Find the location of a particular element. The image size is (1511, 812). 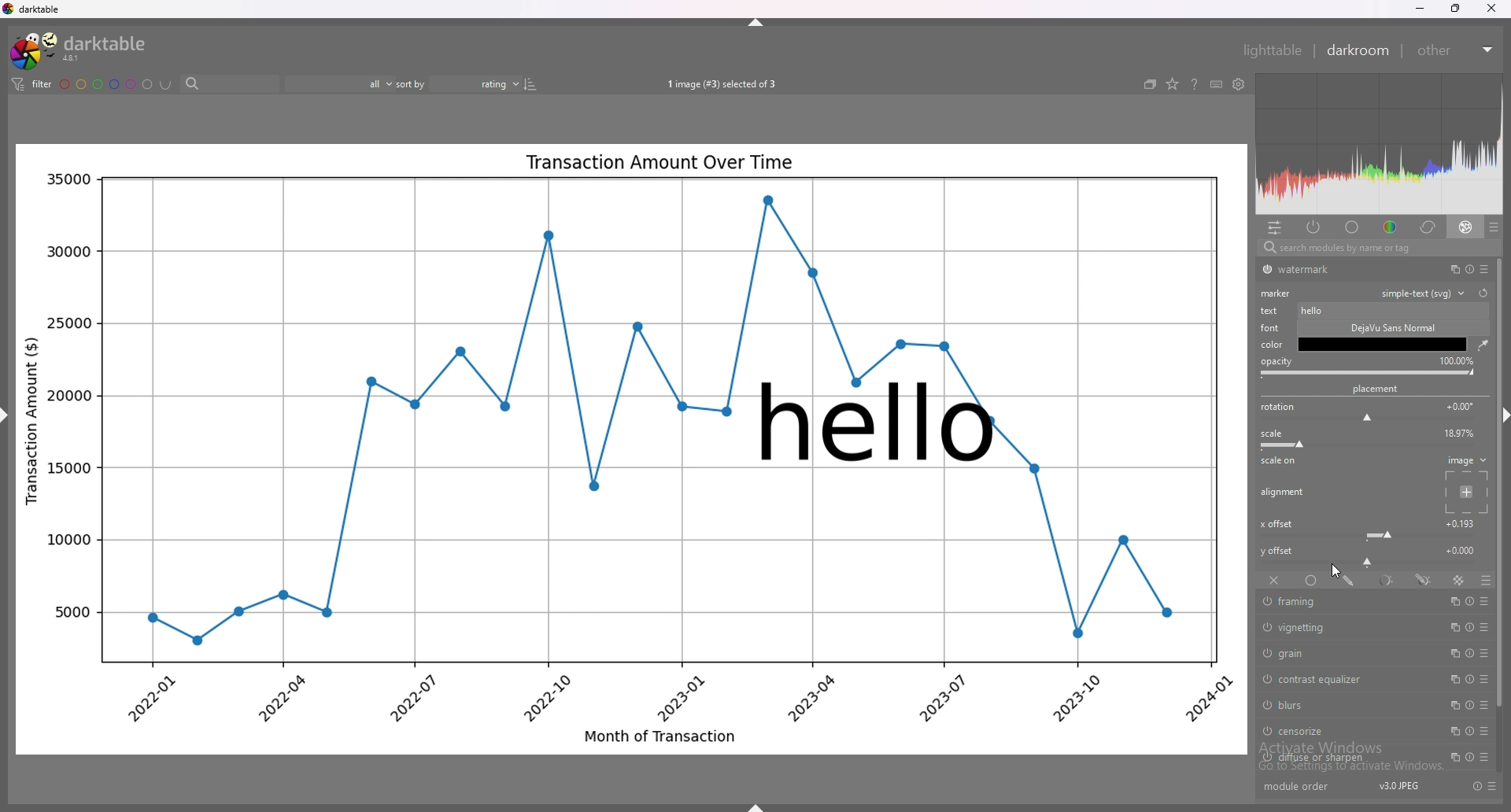

reset is located at coordinates (1469, 706).